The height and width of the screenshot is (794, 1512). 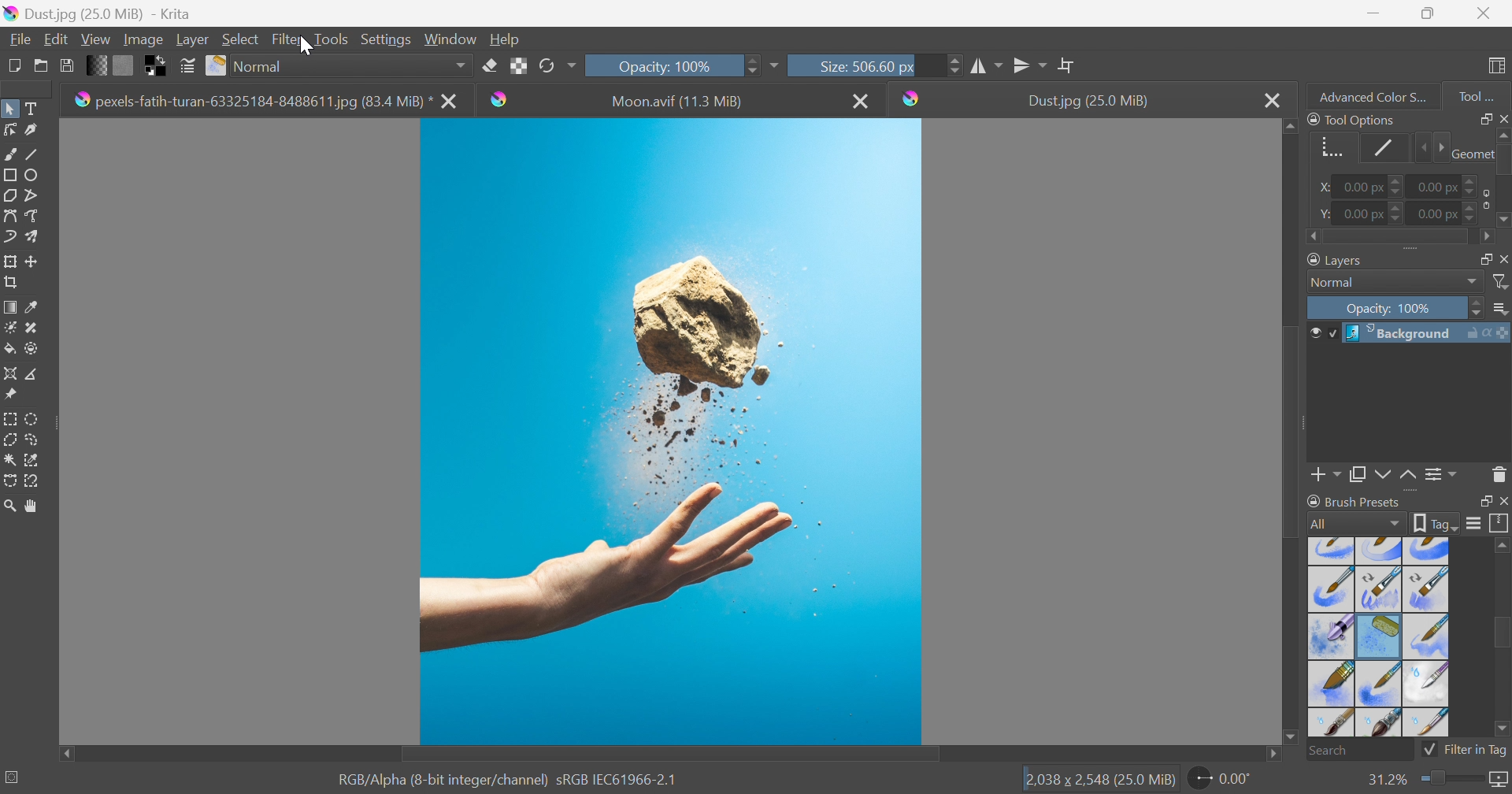 I want to click on Reload original preset, so click(x=557, y=64).